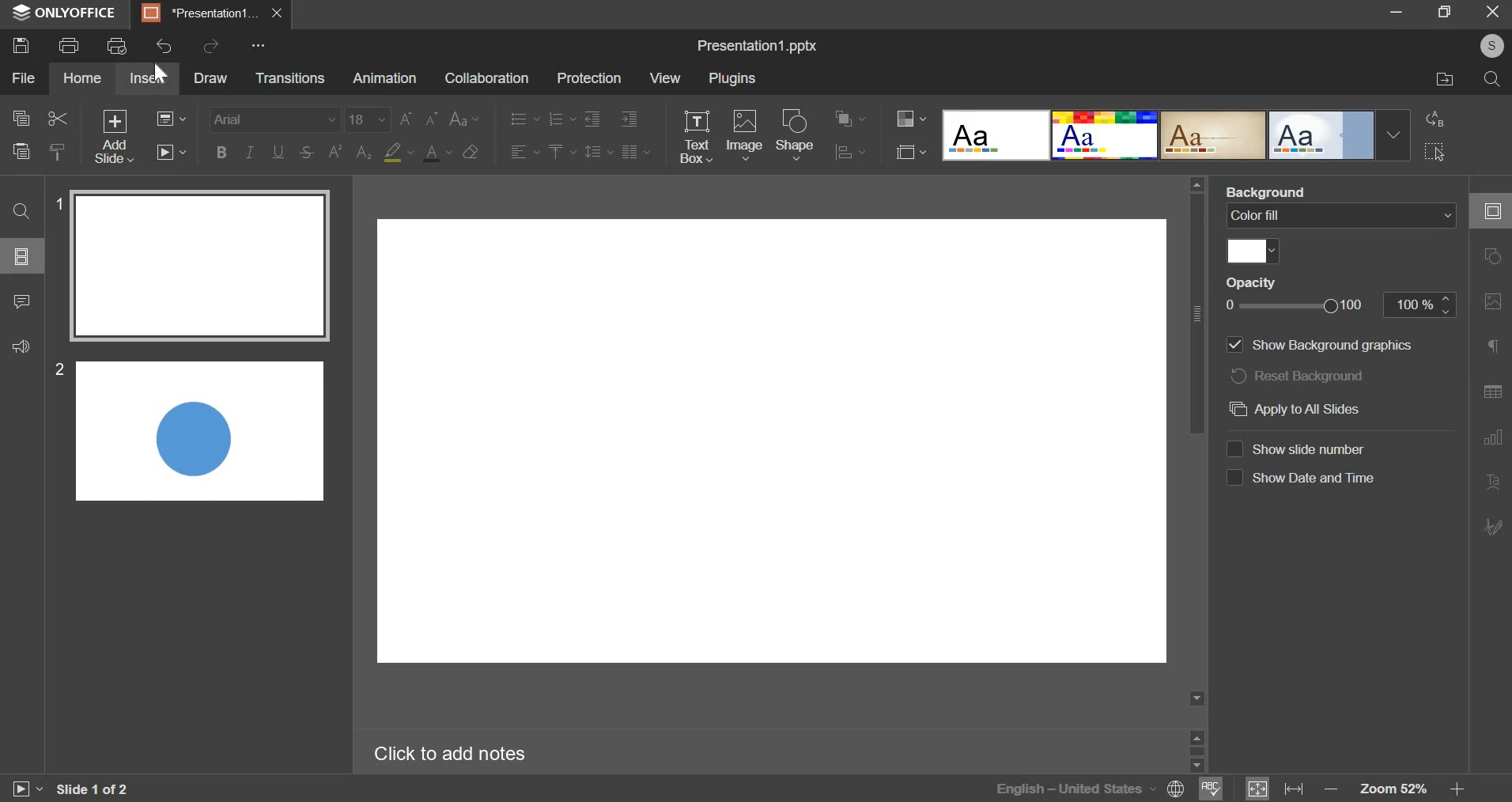 This screenshot has height=802, width=1512. Describe the element at coordinates (211, 13) in the screenshot. I see `presentation` at that location.